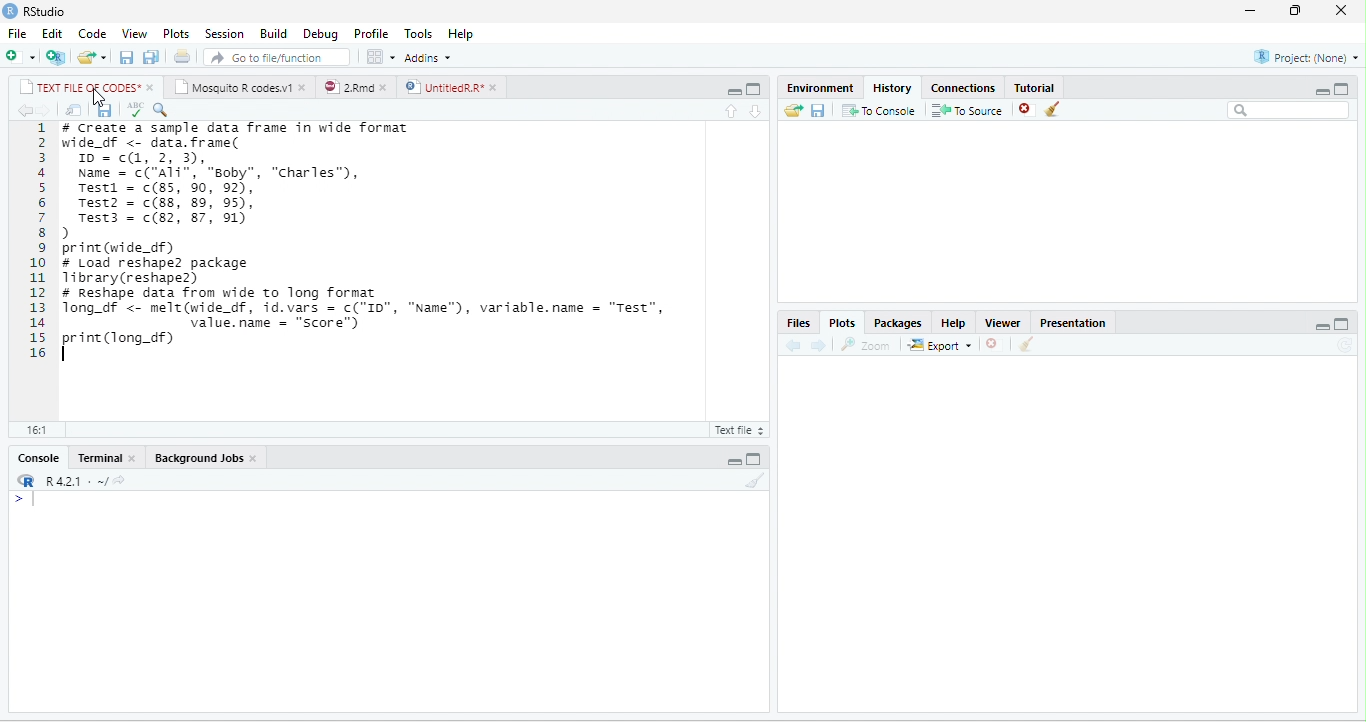 The image size is (1366, 722). Describe the element at coordinates (105, 110) in the screenshot. I see `save` at that location.